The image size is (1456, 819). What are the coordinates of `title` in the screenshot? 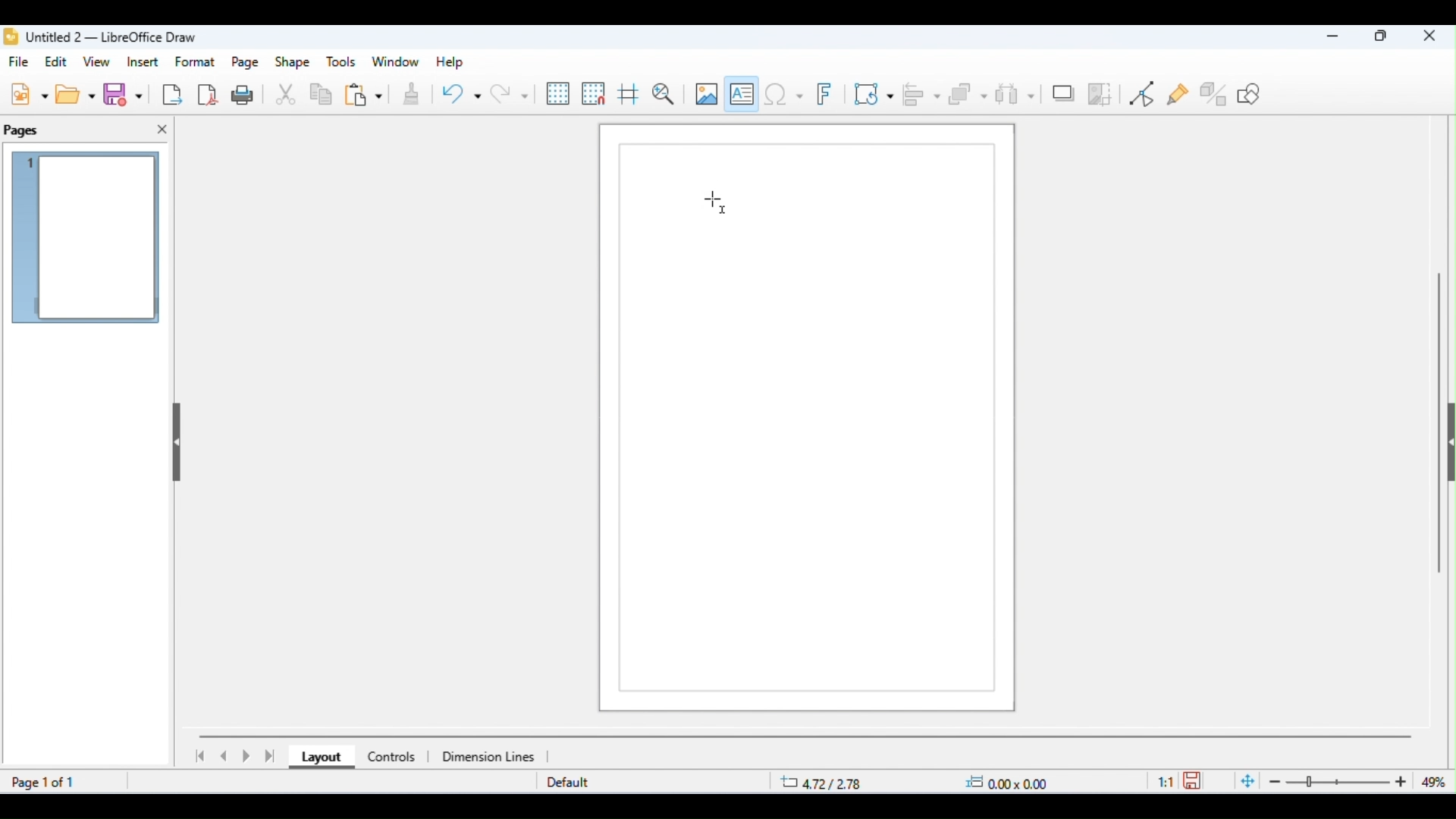 It's located at (101, 37).